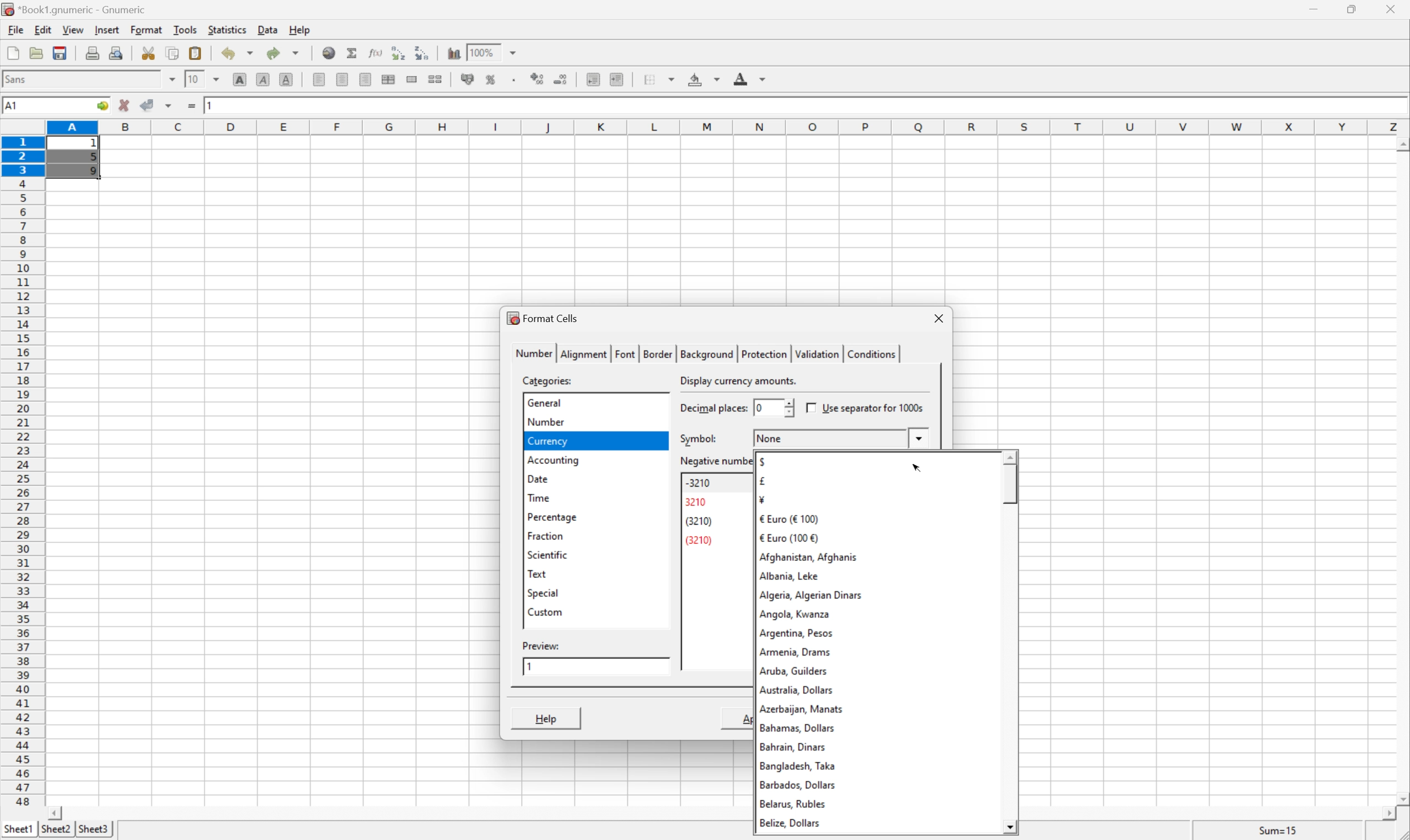 Image resolution: width=1410 pixels, height=840 pixels. Describe the element at coordinates (704, 78) in the screenshot. I see `background` at that location.